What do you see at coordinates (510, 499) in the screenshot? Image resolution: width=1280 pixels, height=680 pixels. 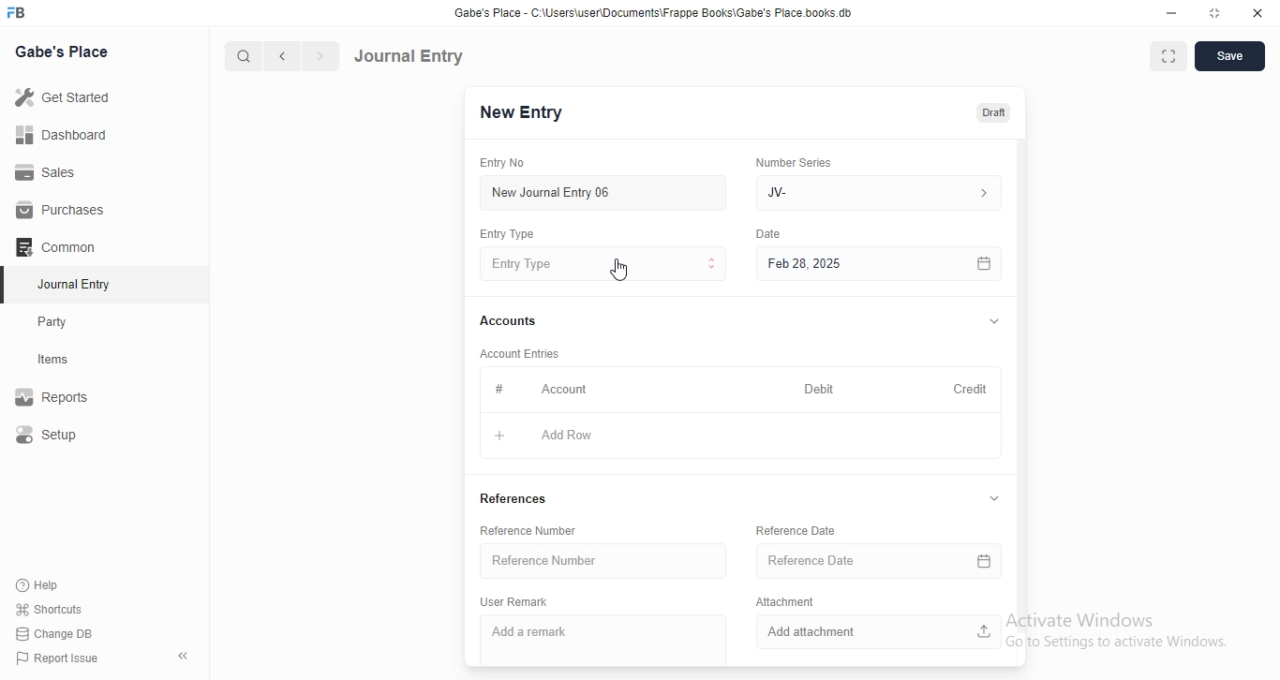 I see `References` at bounding box center [510, 499].